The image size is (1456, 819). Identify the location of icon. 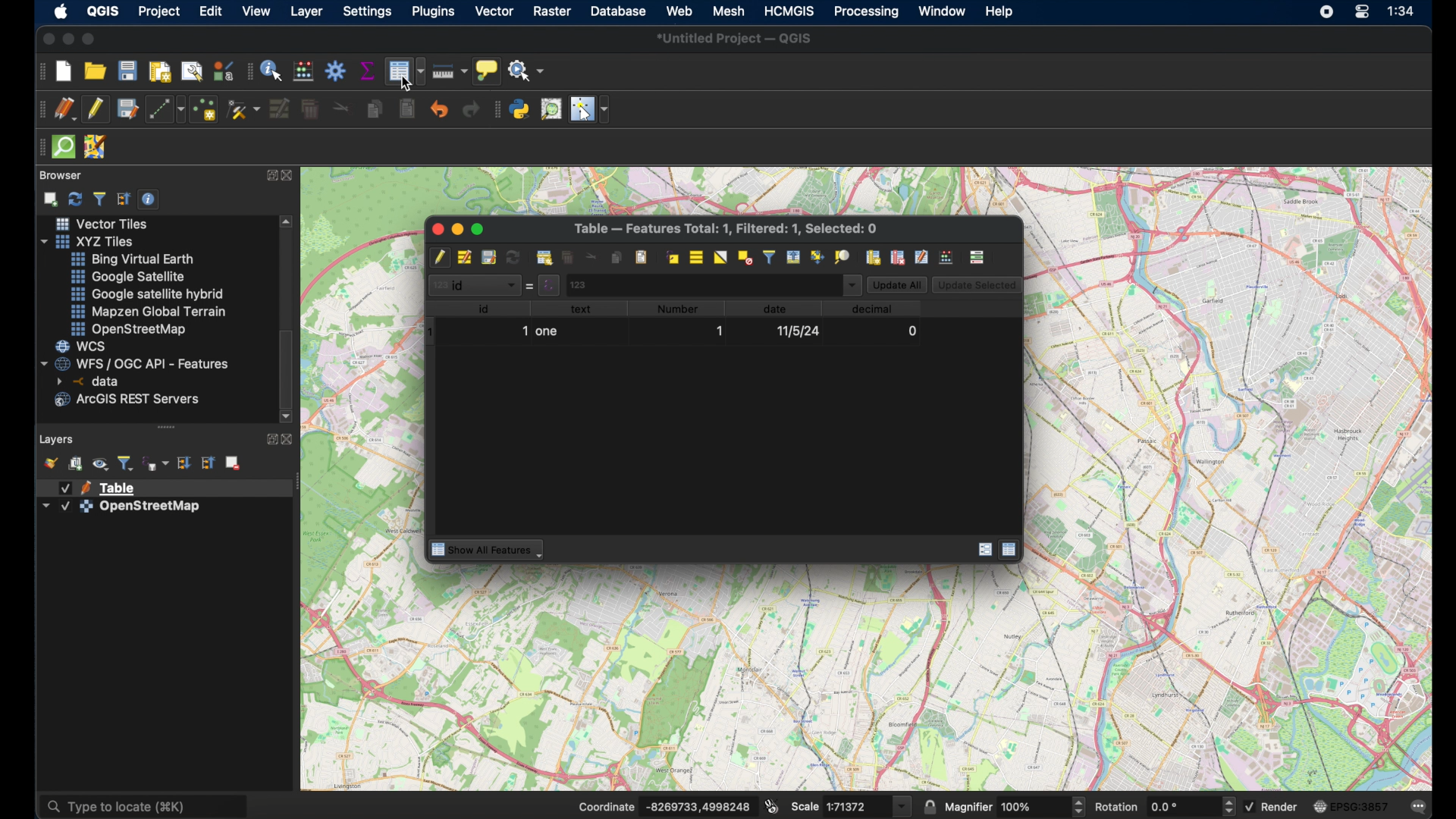
(1319, 806).